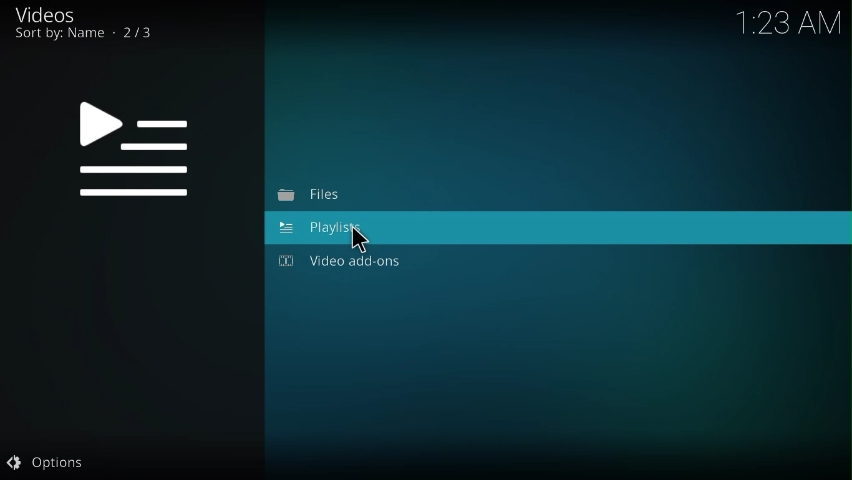 The width and height of the screenshot is (852, 480). What do you see at coordinates (324, 229) in the screenshot?
I see `playlists` at bounding box center [324, 229].